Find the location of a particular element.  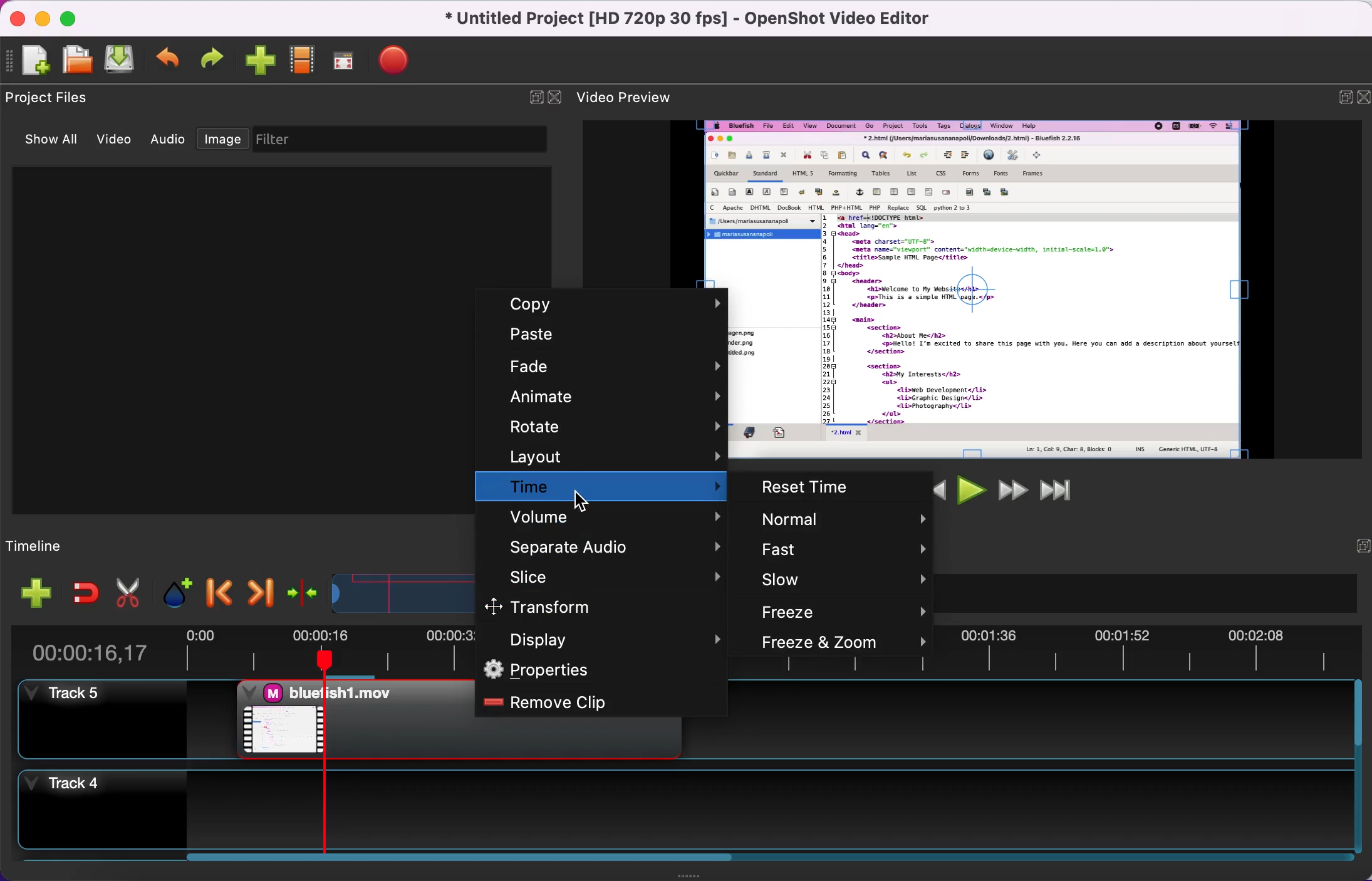

time is located at coordinates (604, 487).